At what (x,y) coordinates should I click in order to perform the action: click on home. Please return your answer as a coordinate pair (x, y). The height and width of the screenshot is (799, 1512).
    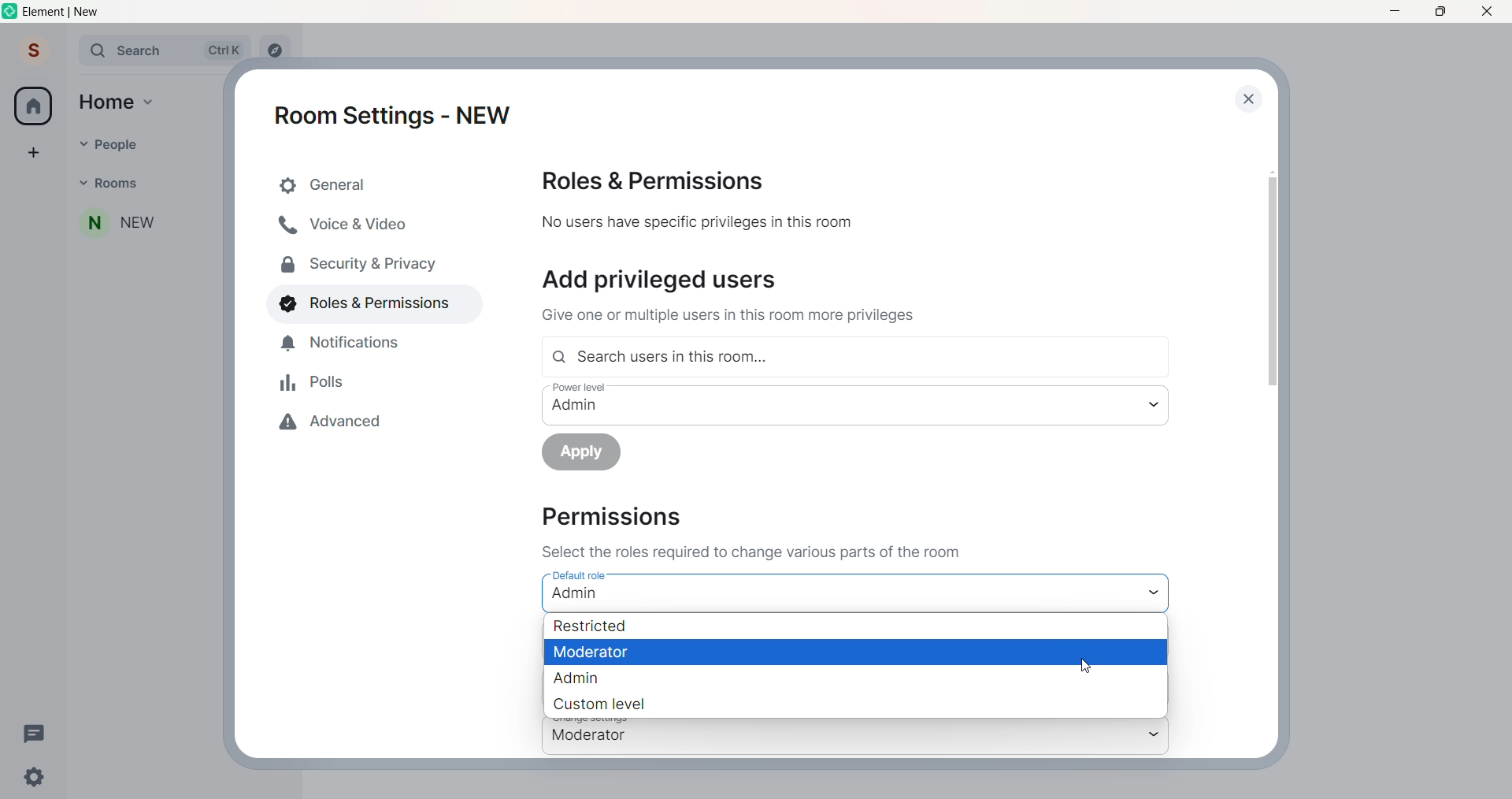
    Looking at the image, I should click on (34, 105).